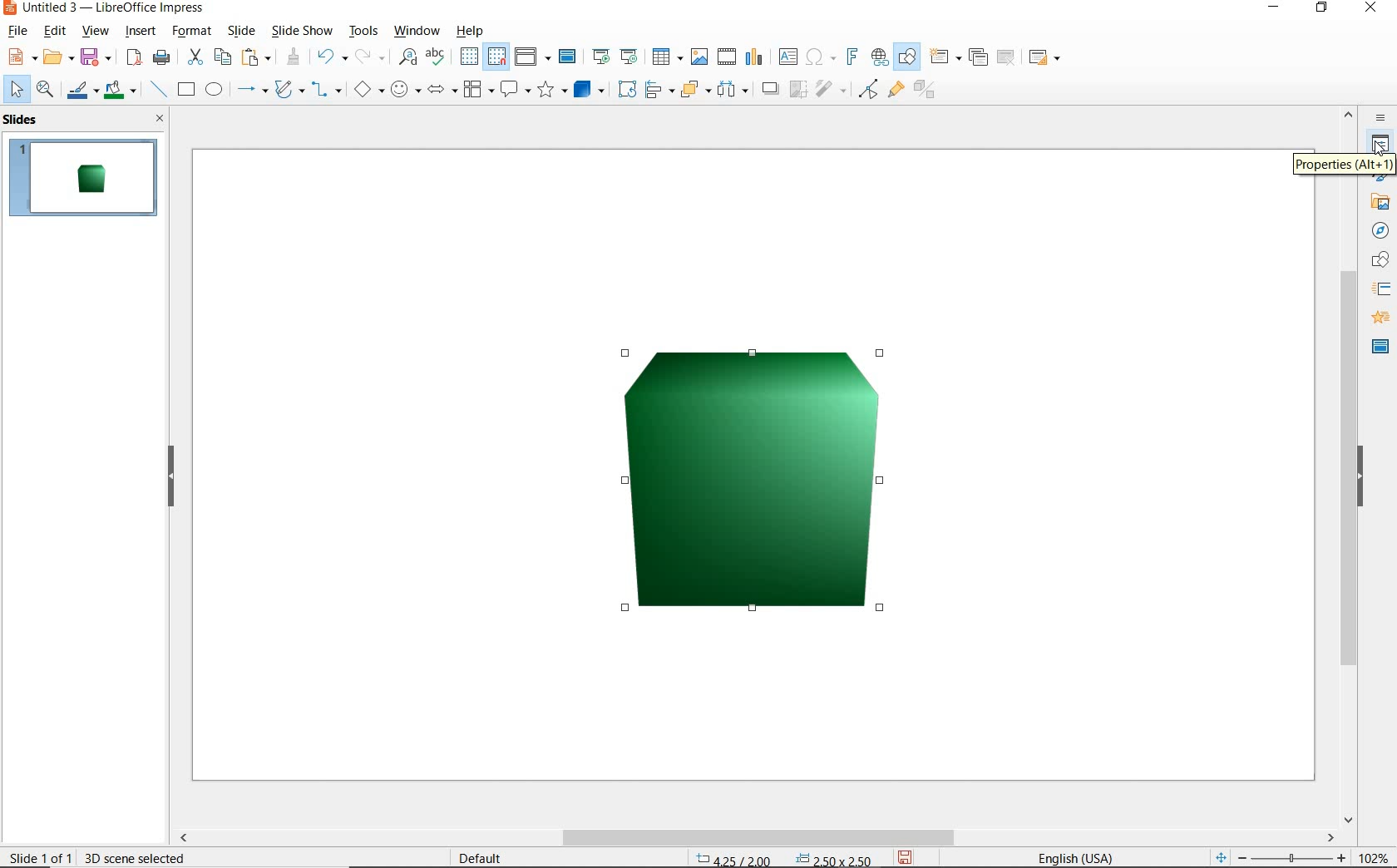 Image resolution: width=1397 pixels, height=868 pixels. What do you see at coordinates (853, 59) in the screenshot?
I see `insert frontwork text` at bounding box center [853, 59].